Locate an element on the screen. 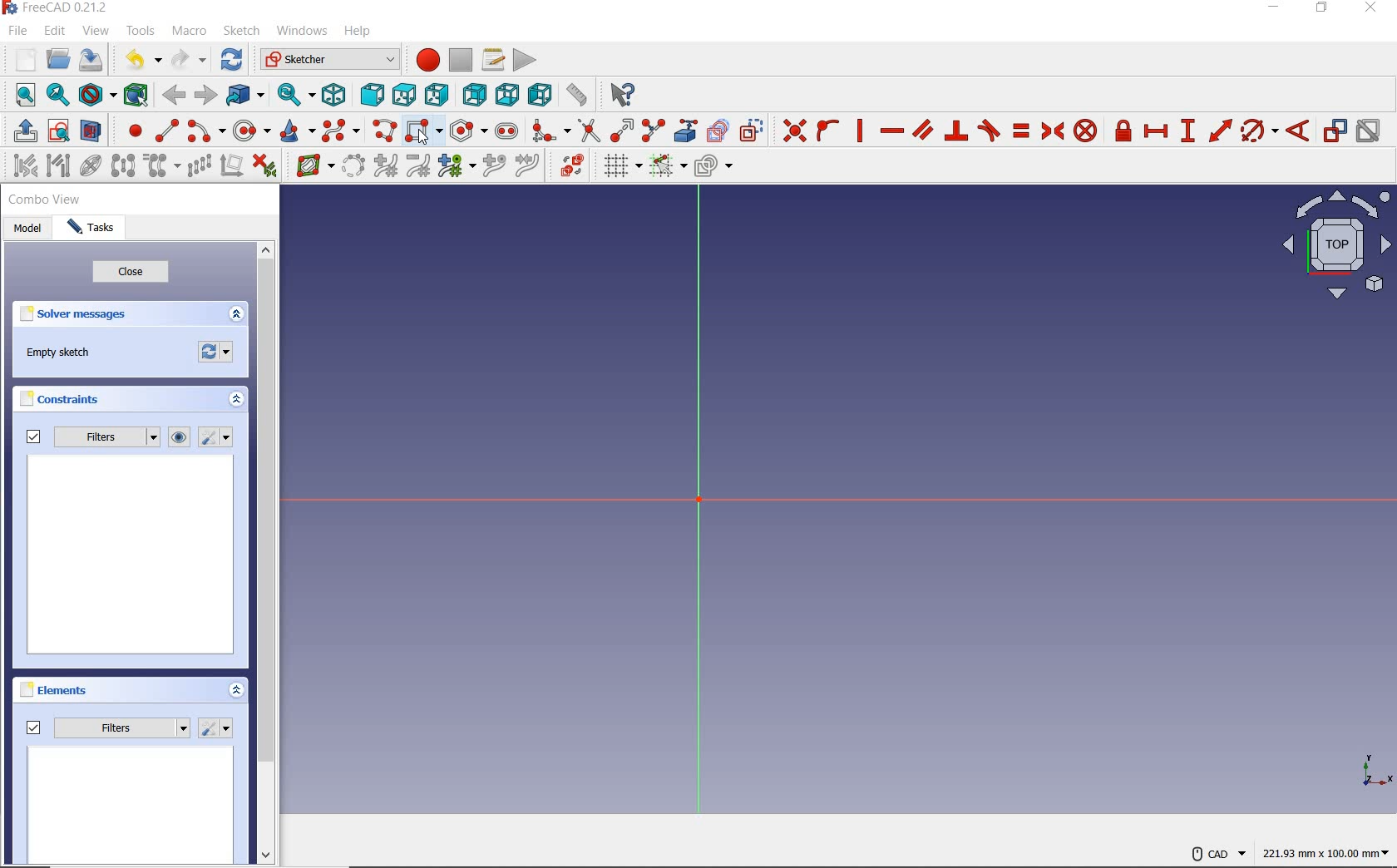 Image resolution: width=1397 pixels, height=868 pixels. back is located at coordinates (175, 96).